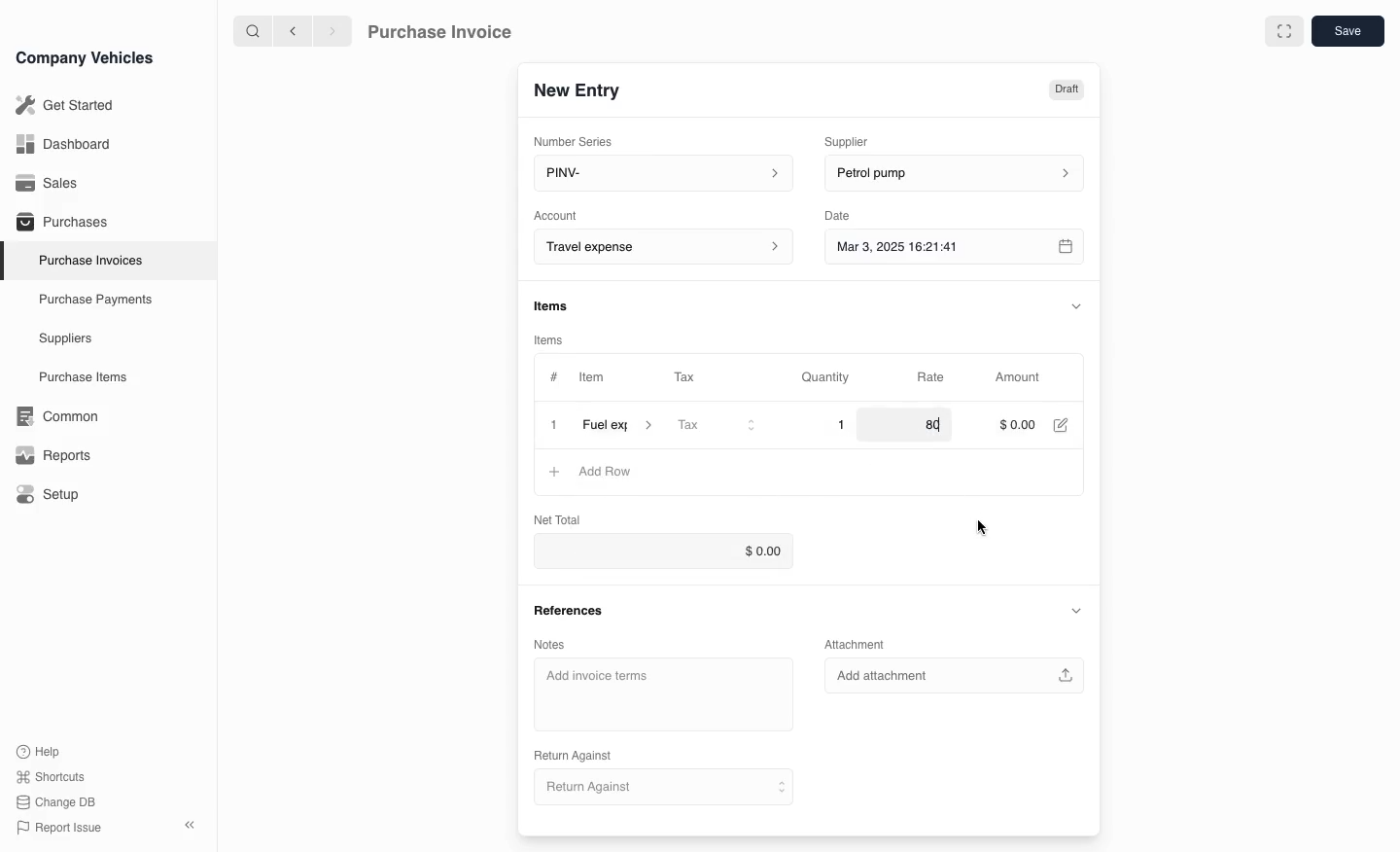 The image size is (1400, 852). Describe the element at coordinates (1063, 426) in the screenshot. I see `edit` at that location.